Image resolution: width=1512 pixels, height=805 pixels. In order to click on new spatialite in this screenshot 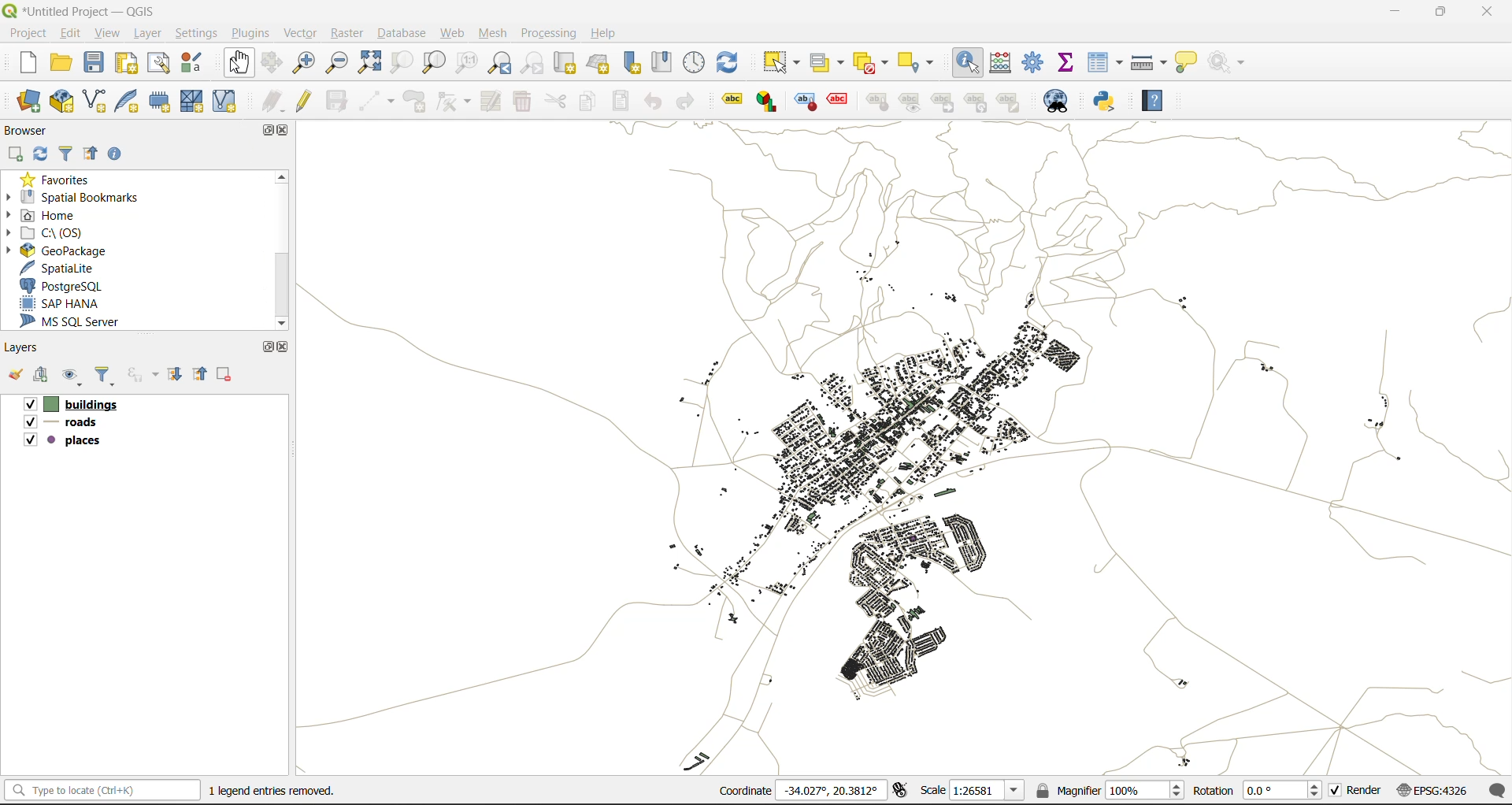, I will do `click(128, 100)`.